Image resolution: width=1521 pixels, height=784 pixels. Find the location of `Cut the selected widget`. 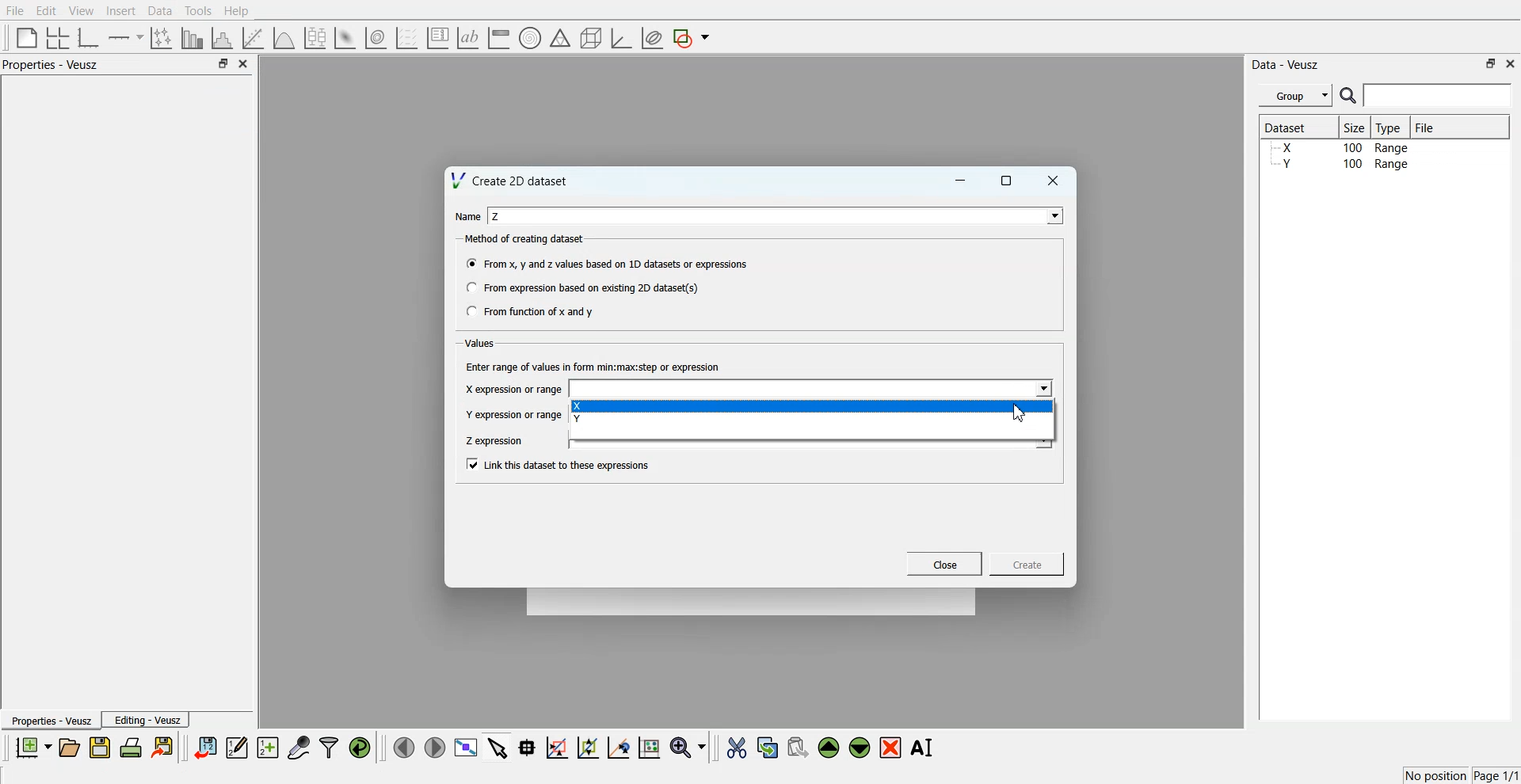

Cut the selected widget is located at coordinates (737, 748).